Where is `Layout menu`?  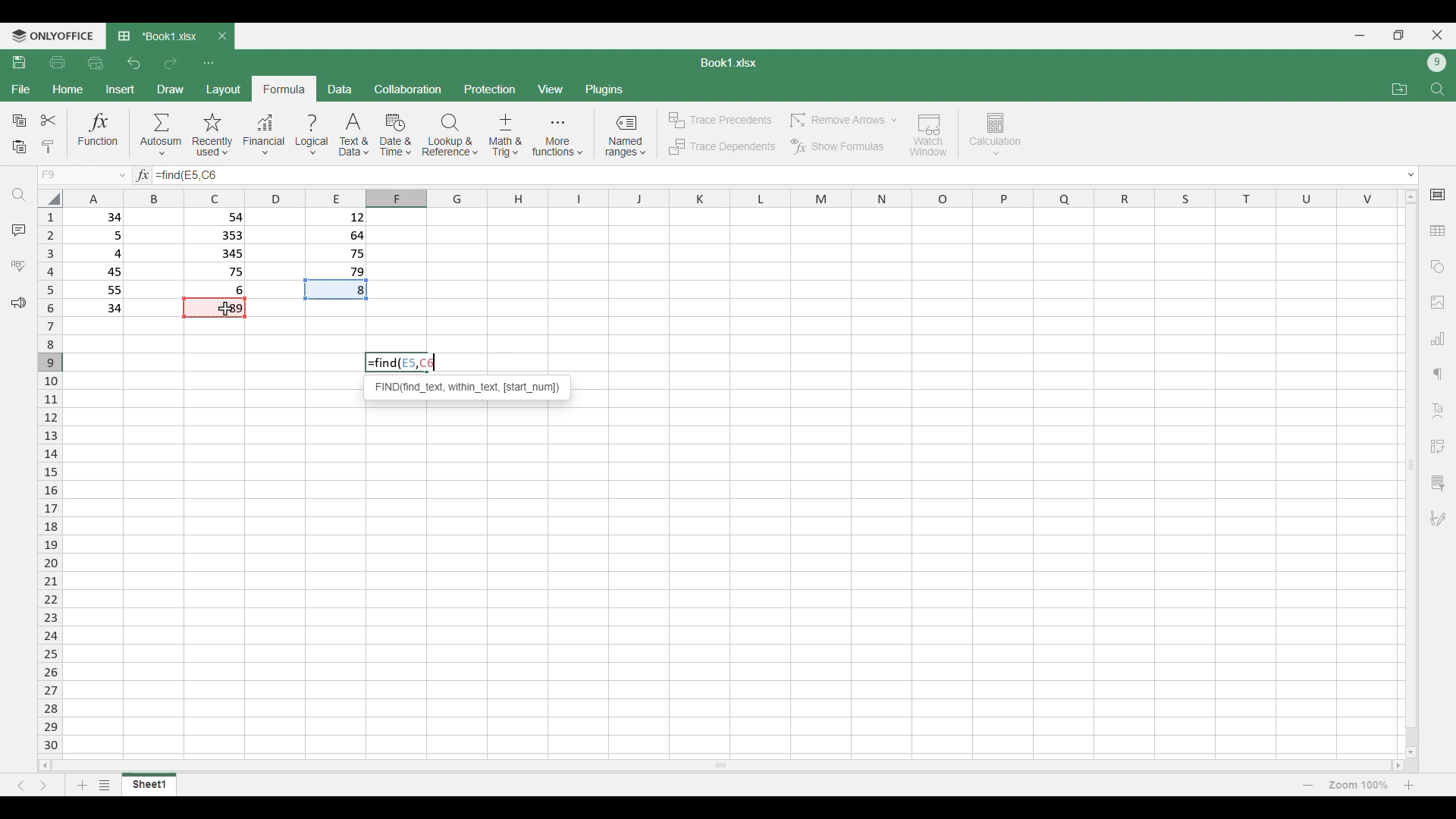 Layout menu is located at coordinates (224, 89).